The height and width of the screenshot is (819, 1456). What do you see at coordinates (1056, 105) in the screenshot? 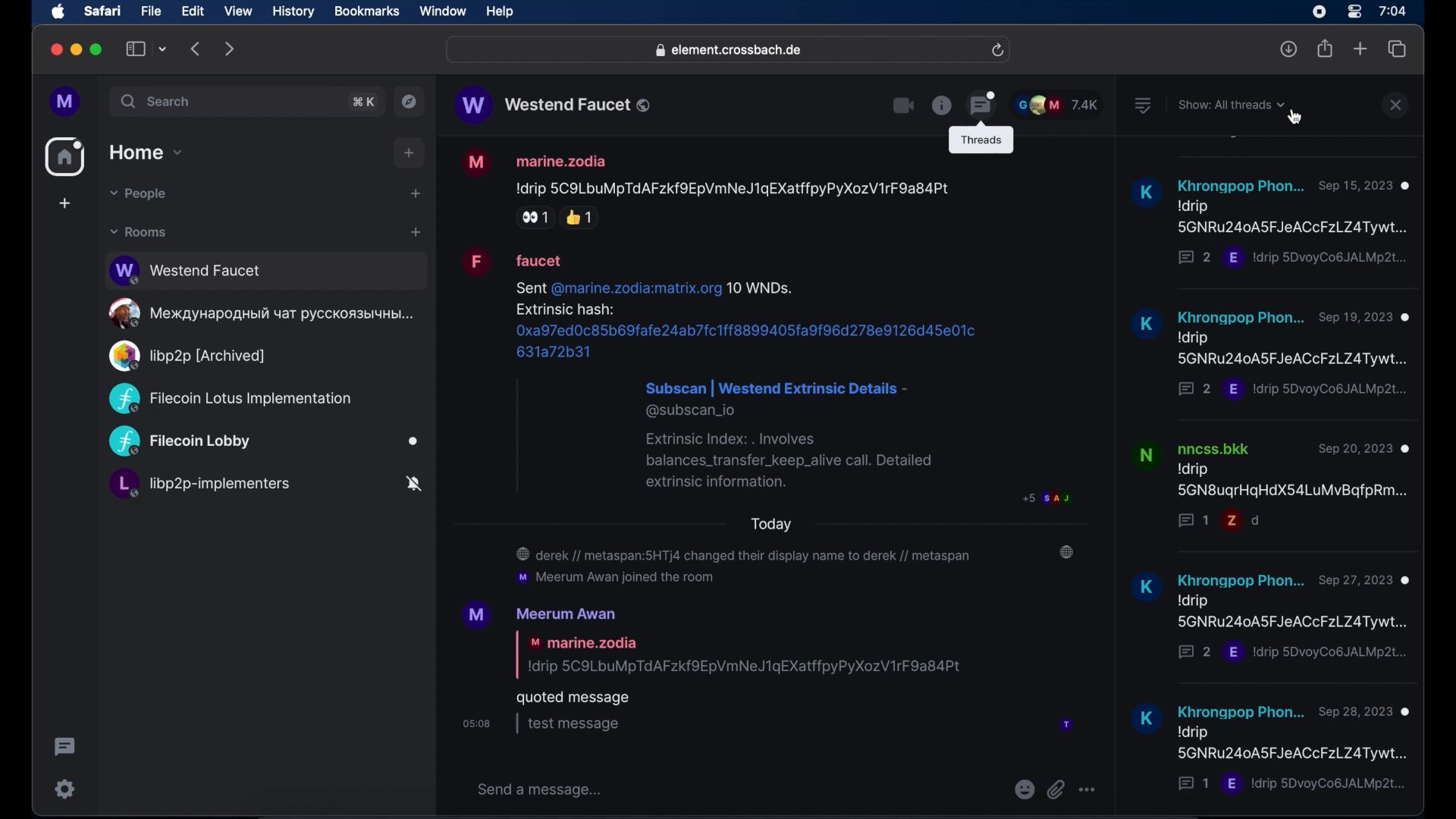
I see `participants` at bounding box center [1056, 105].